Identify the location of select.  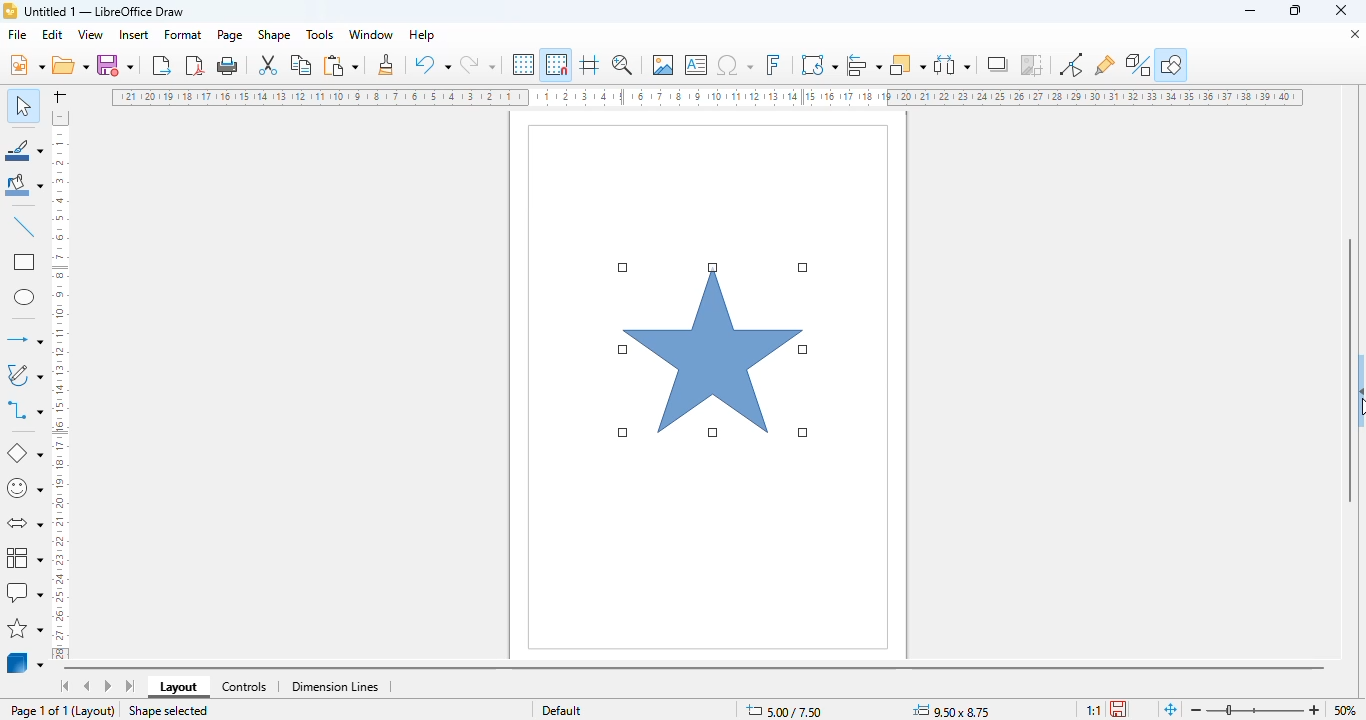
(24, 105).